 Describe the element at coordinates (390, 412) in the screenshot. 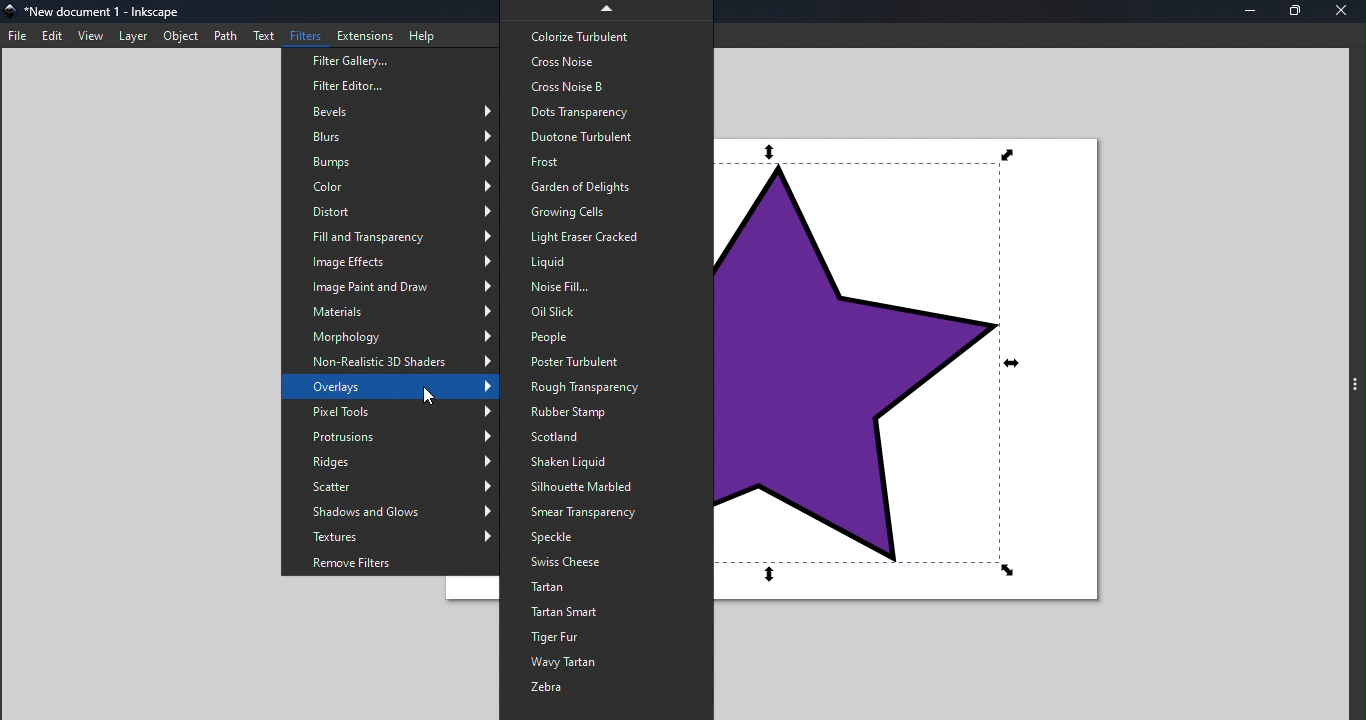

I see `Pixel tools` at that location.